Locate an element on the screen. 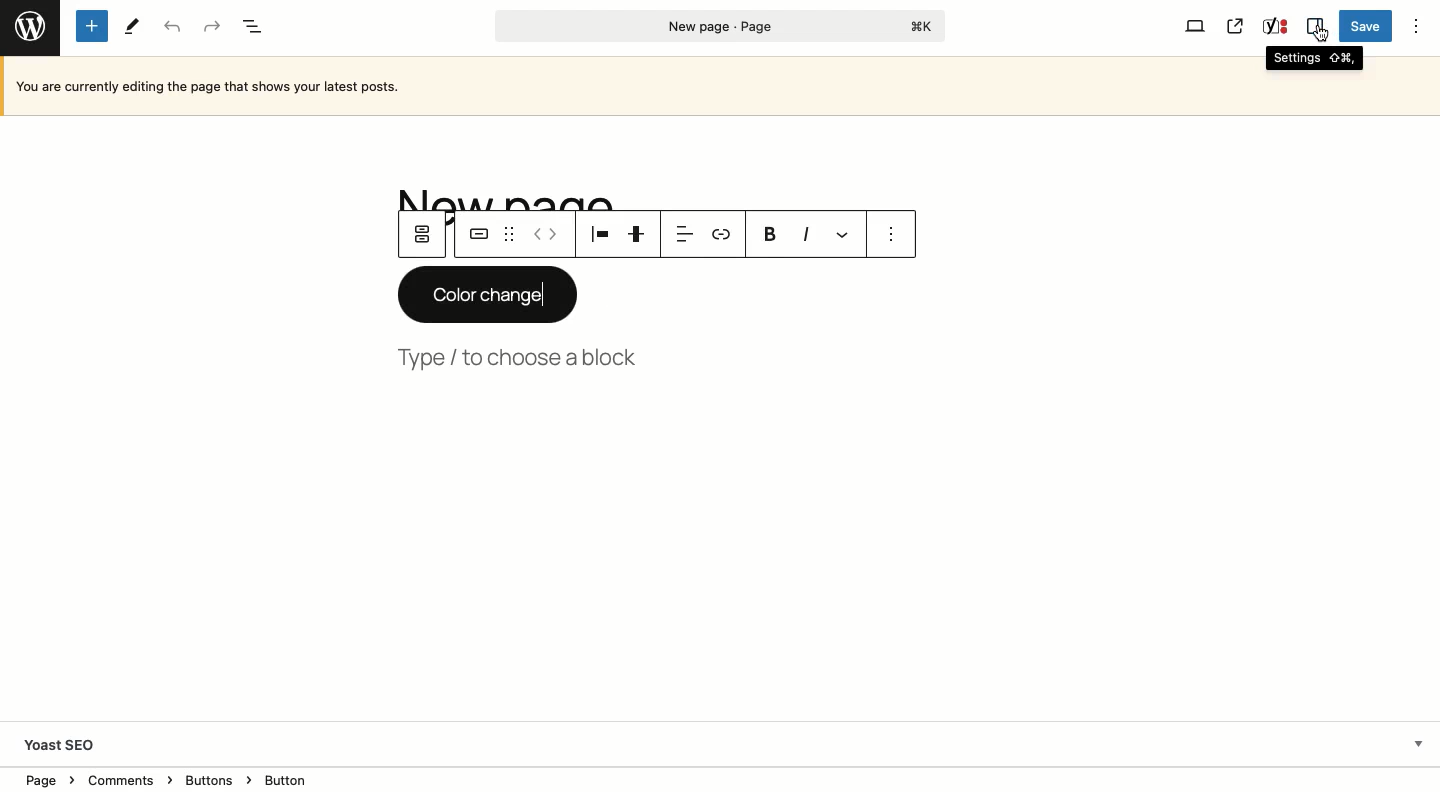  Move left right is located at coordinates (548, 235).